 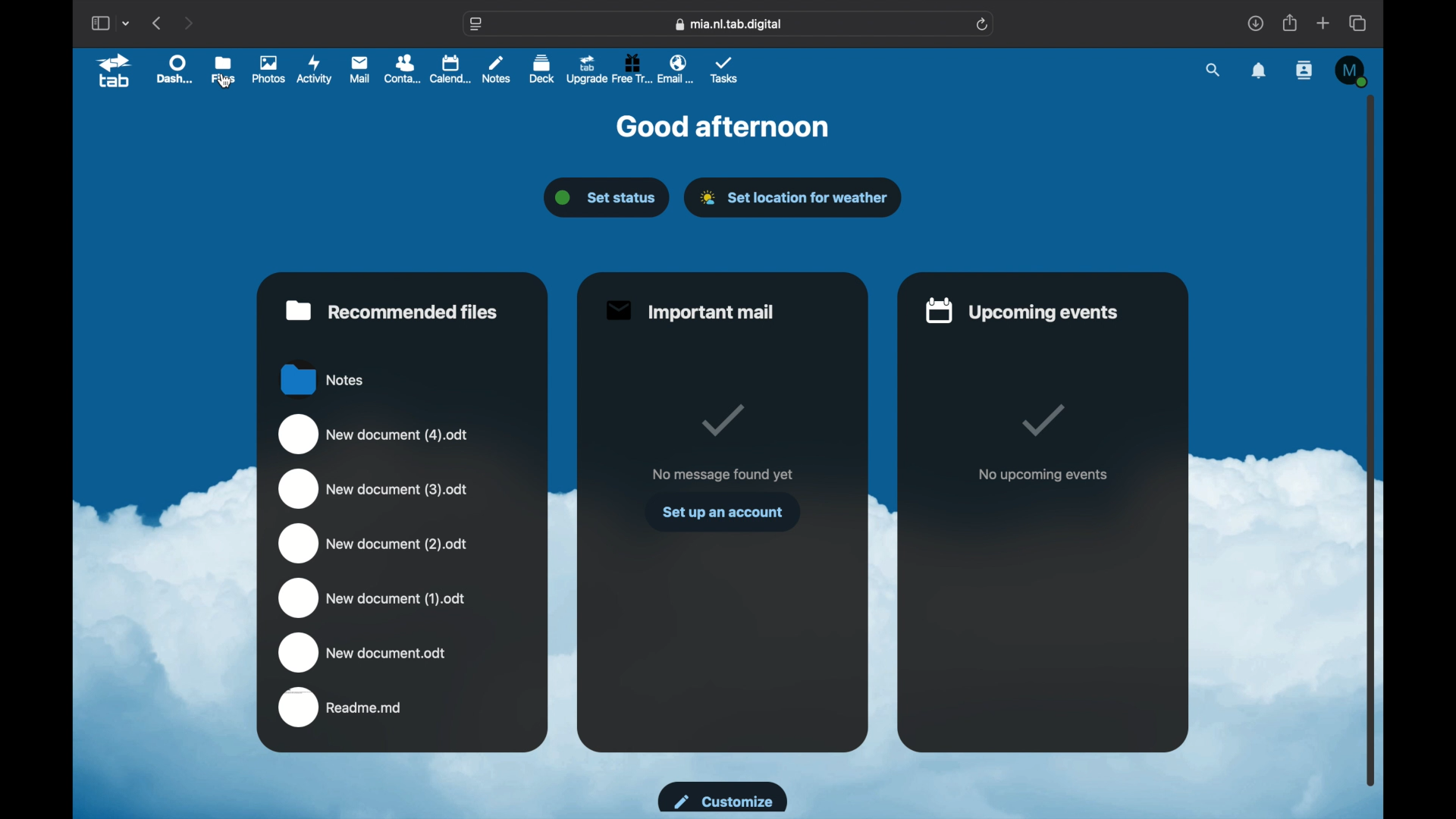 What do you see at coordinates (400, 68) in the screenshot?
I see `contacts` at bounding box center [400, 68].